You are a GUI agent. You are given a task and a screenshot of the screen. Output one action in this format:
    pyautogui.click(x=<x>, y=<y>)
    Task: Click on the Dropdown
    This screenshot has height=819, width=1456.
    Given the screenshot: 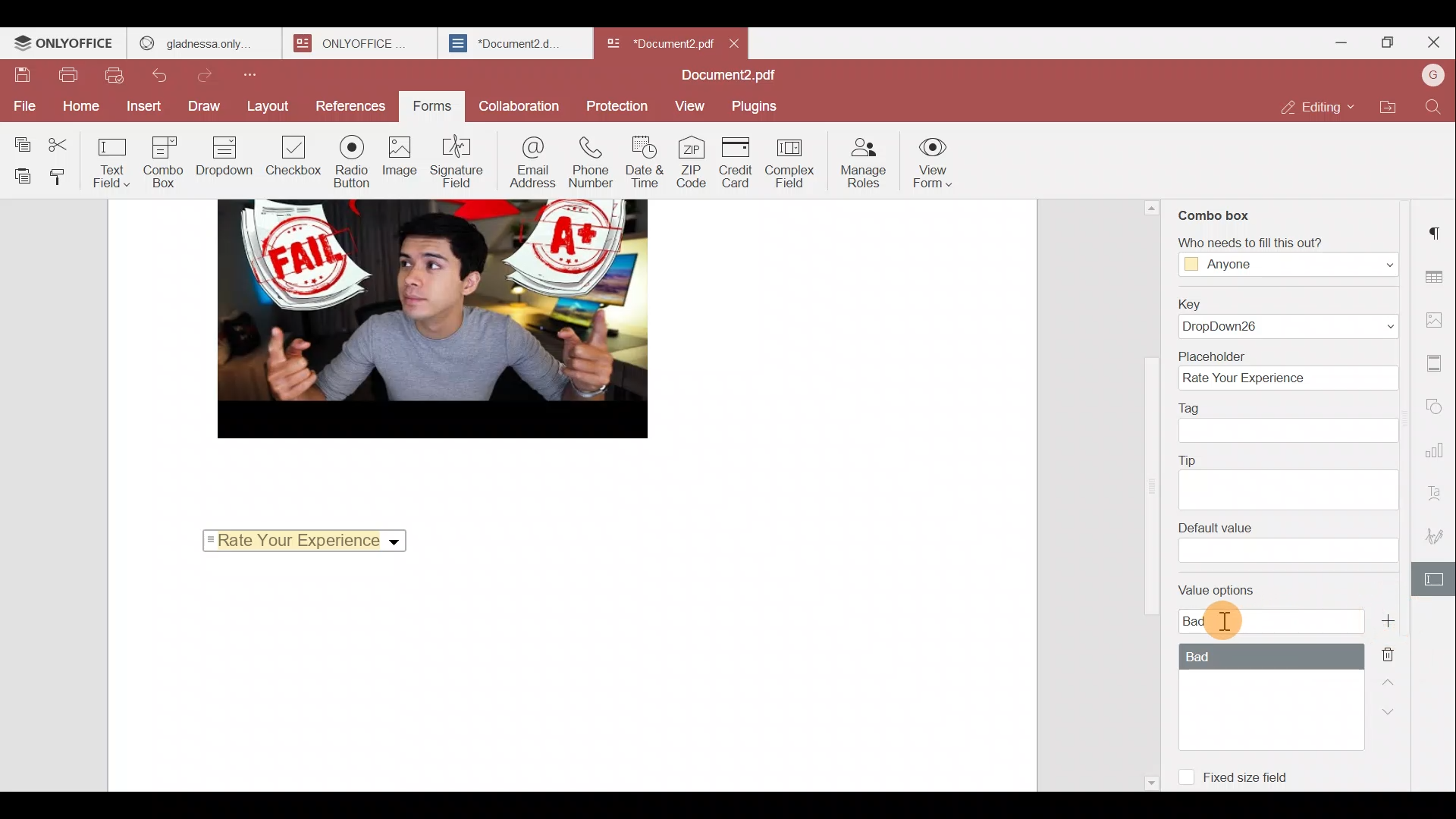 What is the action you would take?
    pyautogui.click(x=227, y=156)
    